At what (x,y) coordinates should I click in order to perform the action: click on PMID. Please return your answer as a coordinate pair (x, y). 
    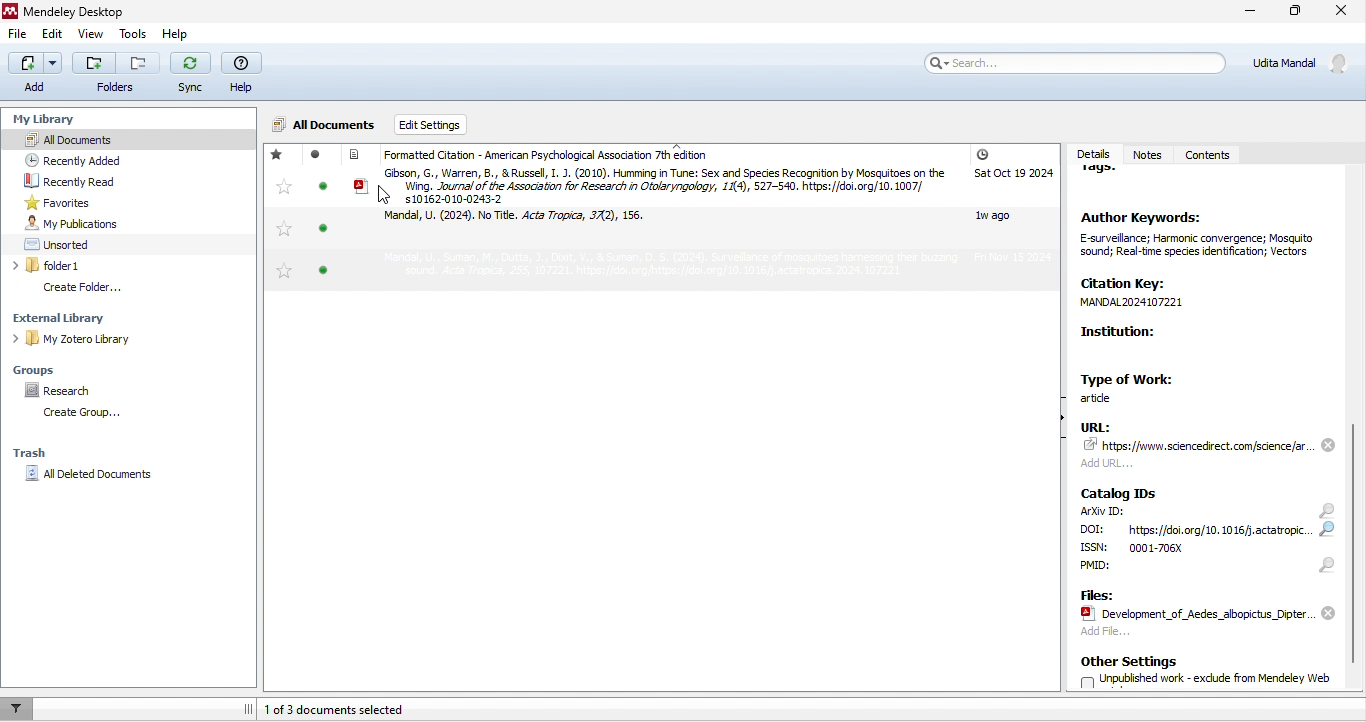
    Looking at the image, I should click on (1125, 571).